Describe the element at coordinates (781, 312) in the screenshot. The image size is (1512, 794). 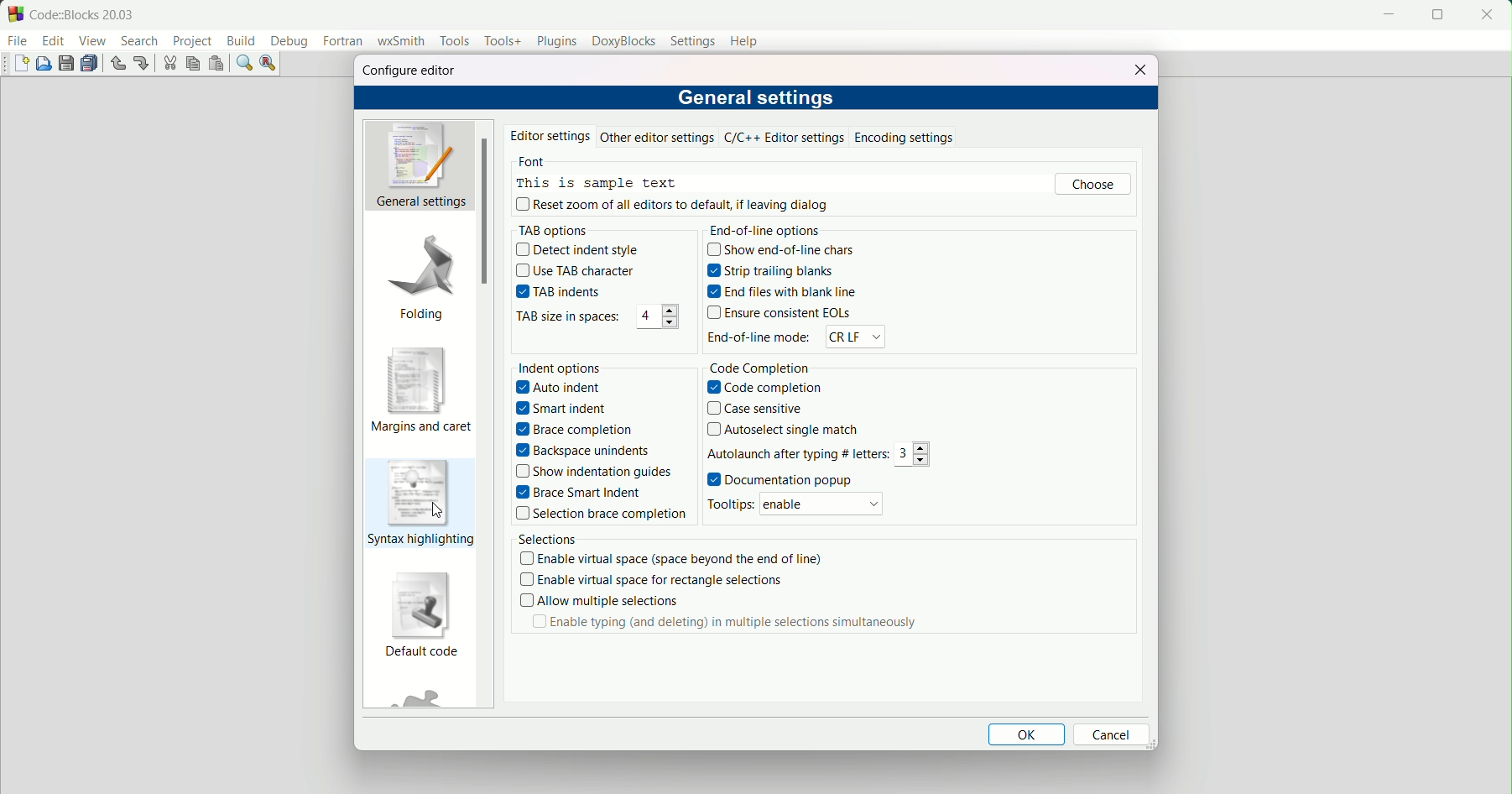
I see `ensure consistent EOLs` at that location.